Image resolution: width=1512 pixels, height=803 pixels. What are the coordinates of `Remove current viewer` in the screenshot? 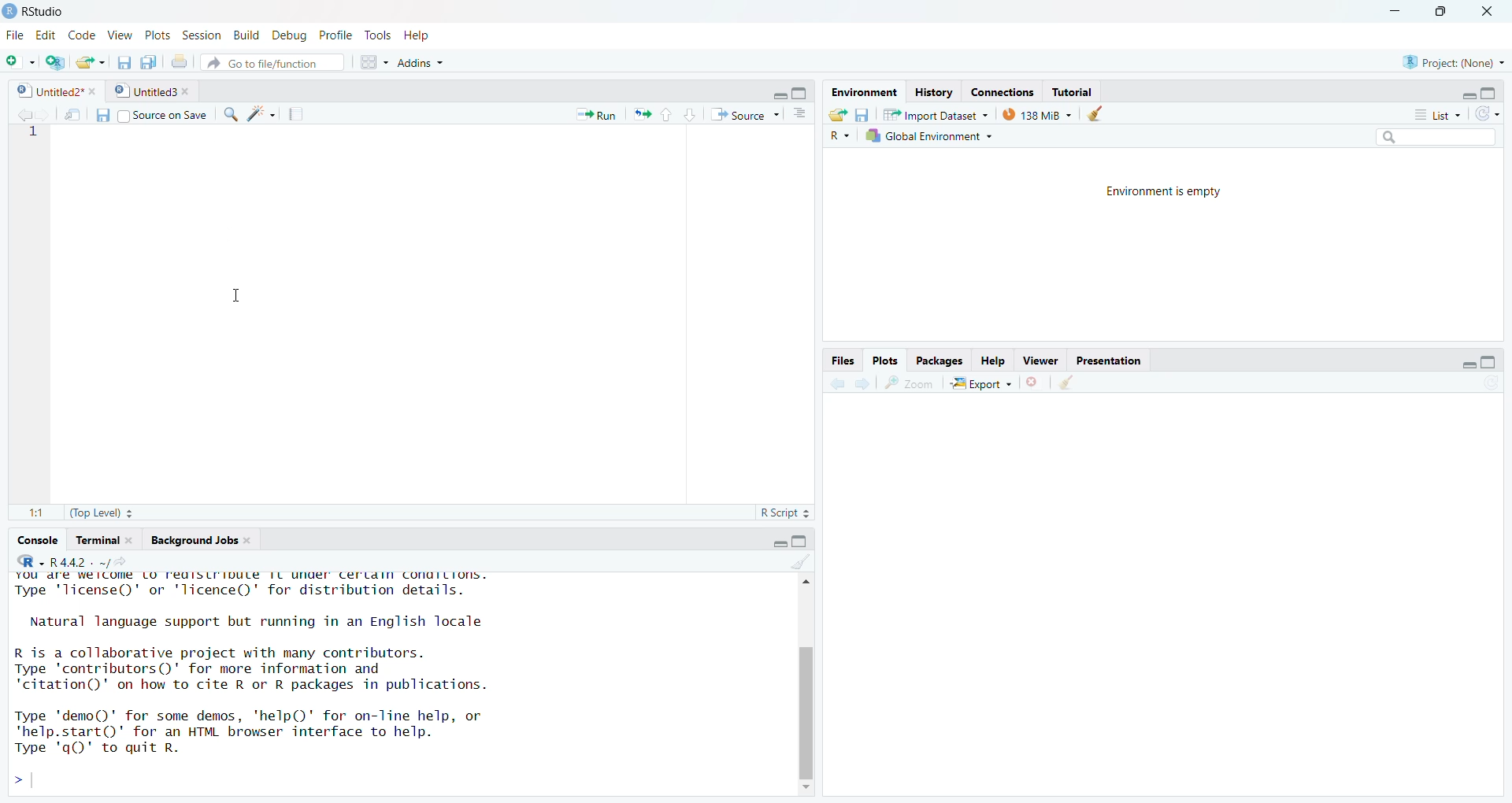 It's located at (1033, 383).